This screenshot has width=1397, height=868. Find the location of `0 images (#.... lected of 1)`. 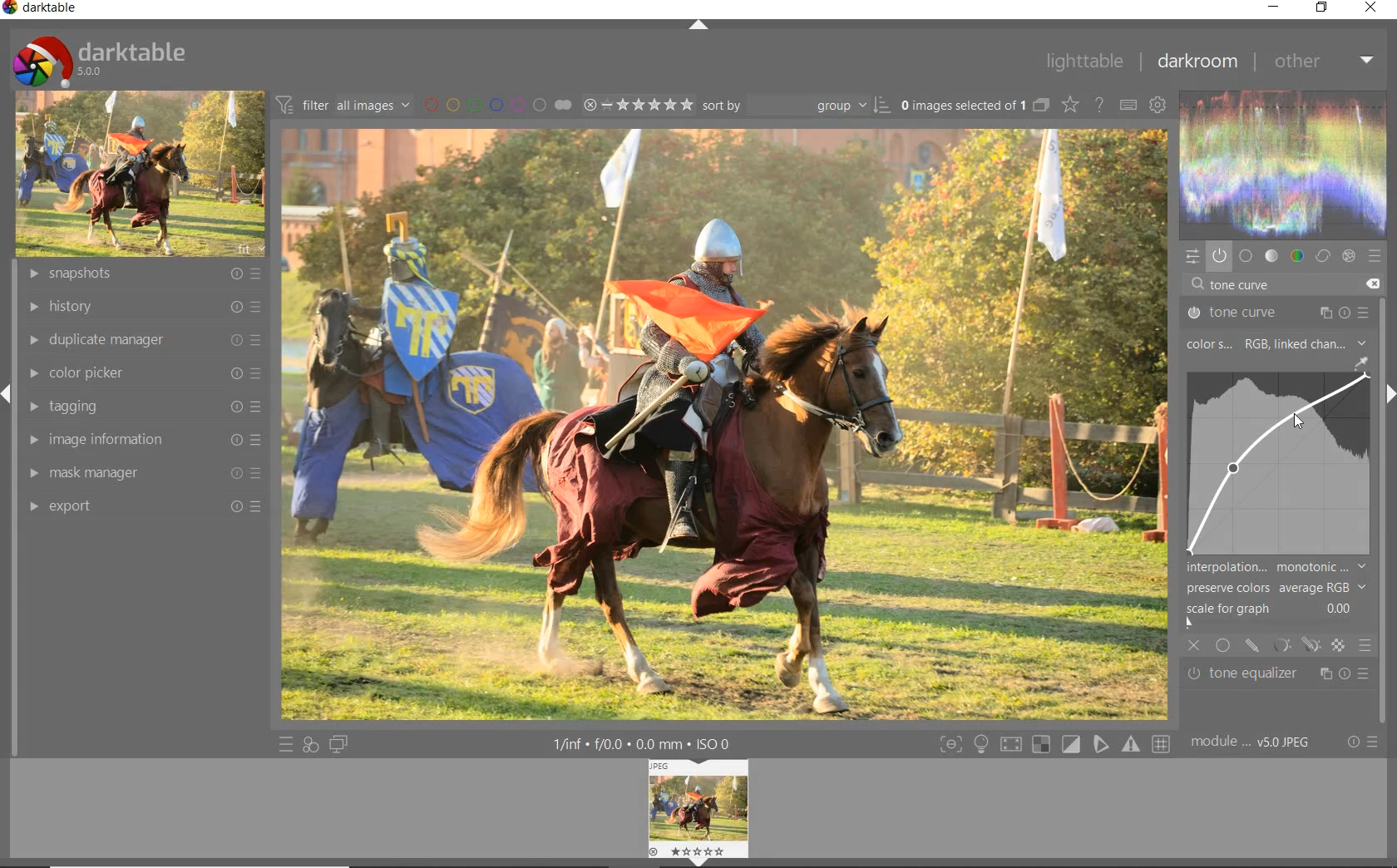

0 images (#.... lected of 1) is located at coordinates (973, 105).